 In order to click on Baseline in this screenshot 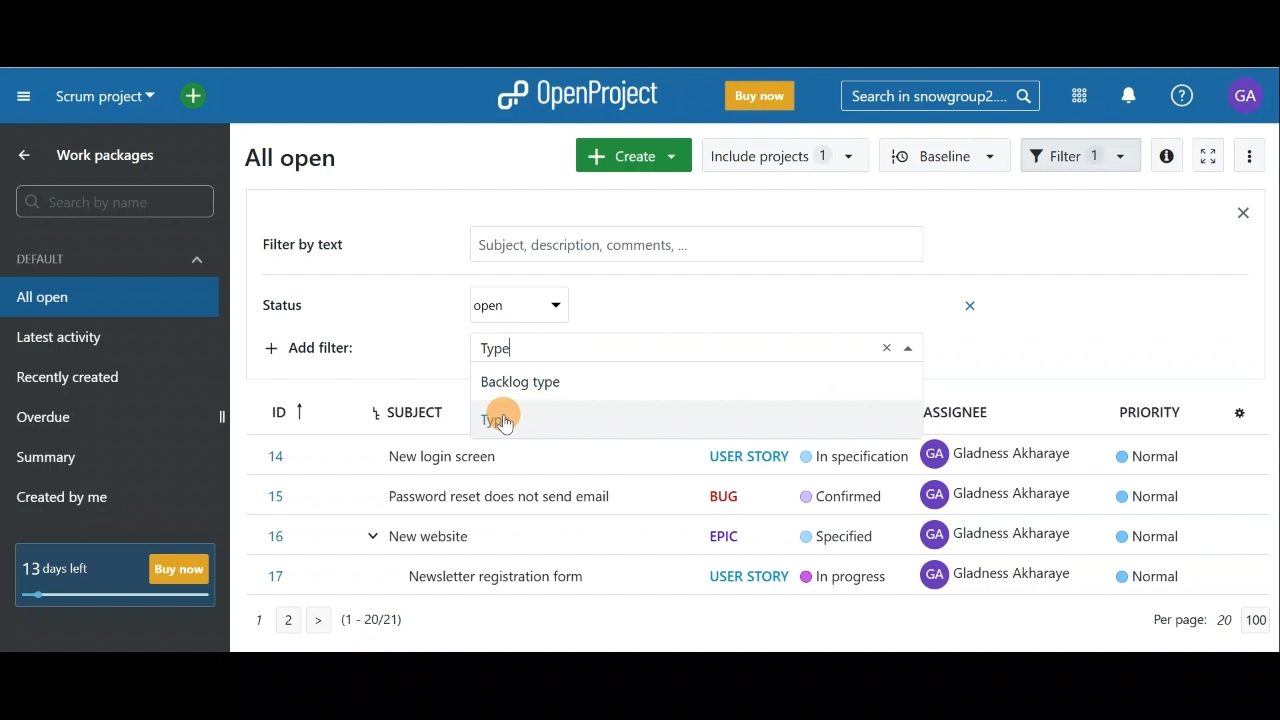, I will do `click(942, 154)`.